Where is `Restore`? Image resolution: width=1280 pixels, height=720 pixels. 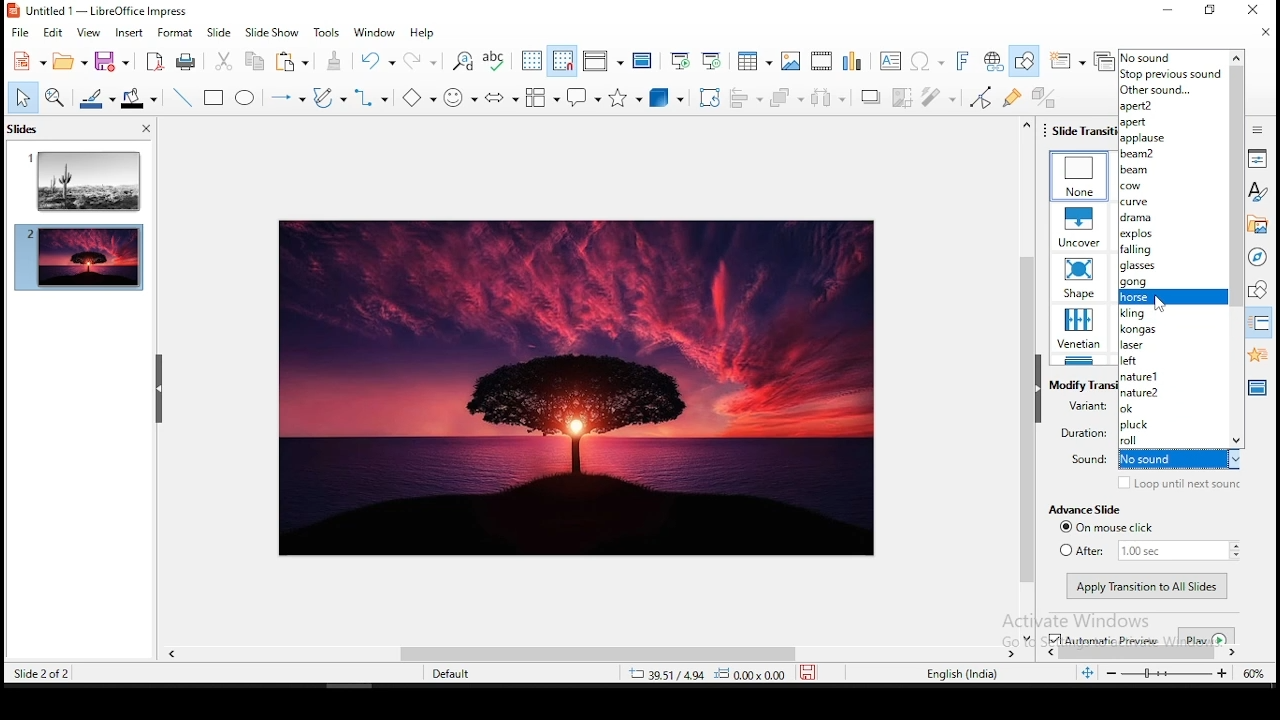
Restore is located at coordinates (1207, 10).